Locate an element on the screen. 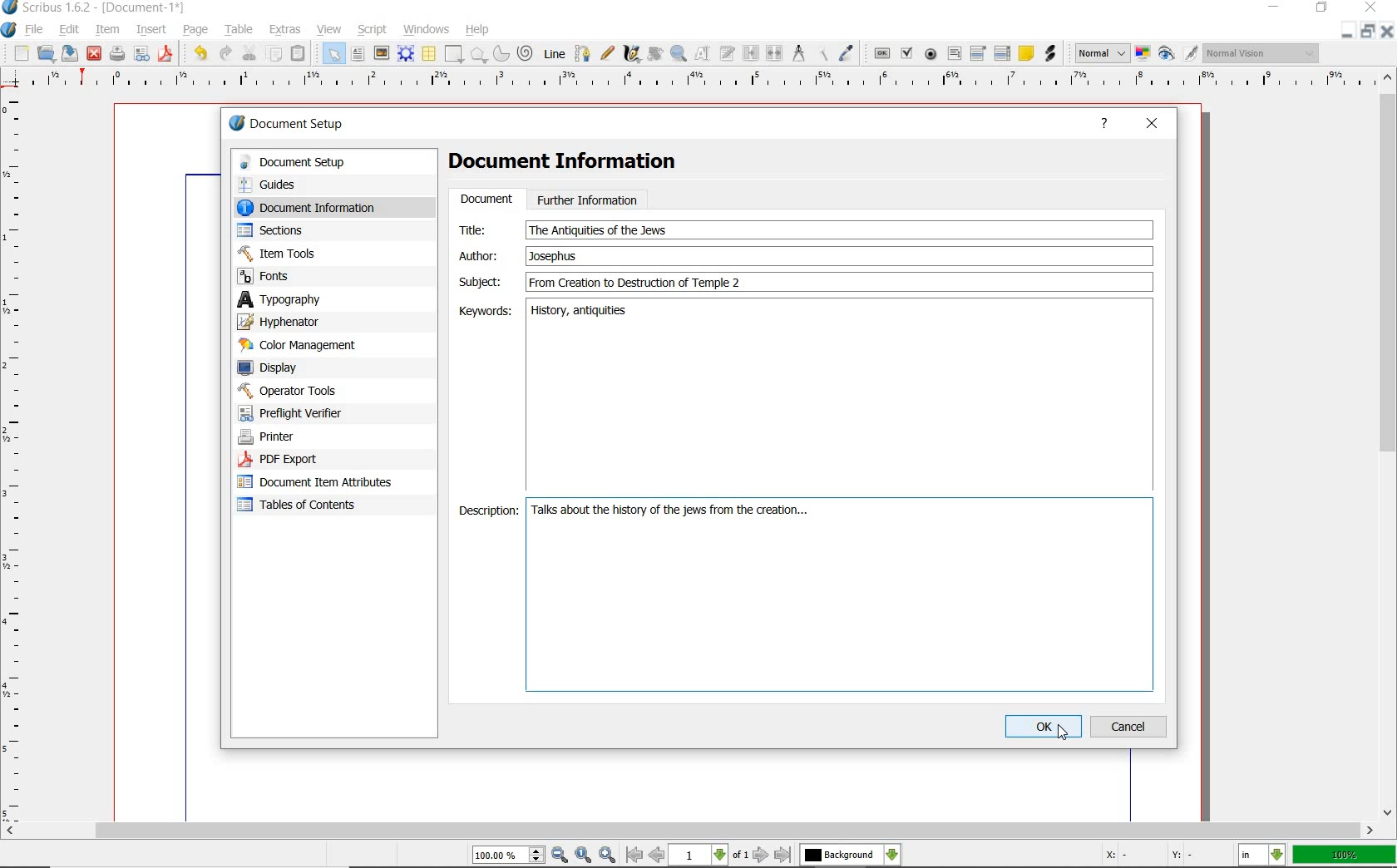 This screenshot has width=1397, height=868. edit is located at coordinates (70, 29).